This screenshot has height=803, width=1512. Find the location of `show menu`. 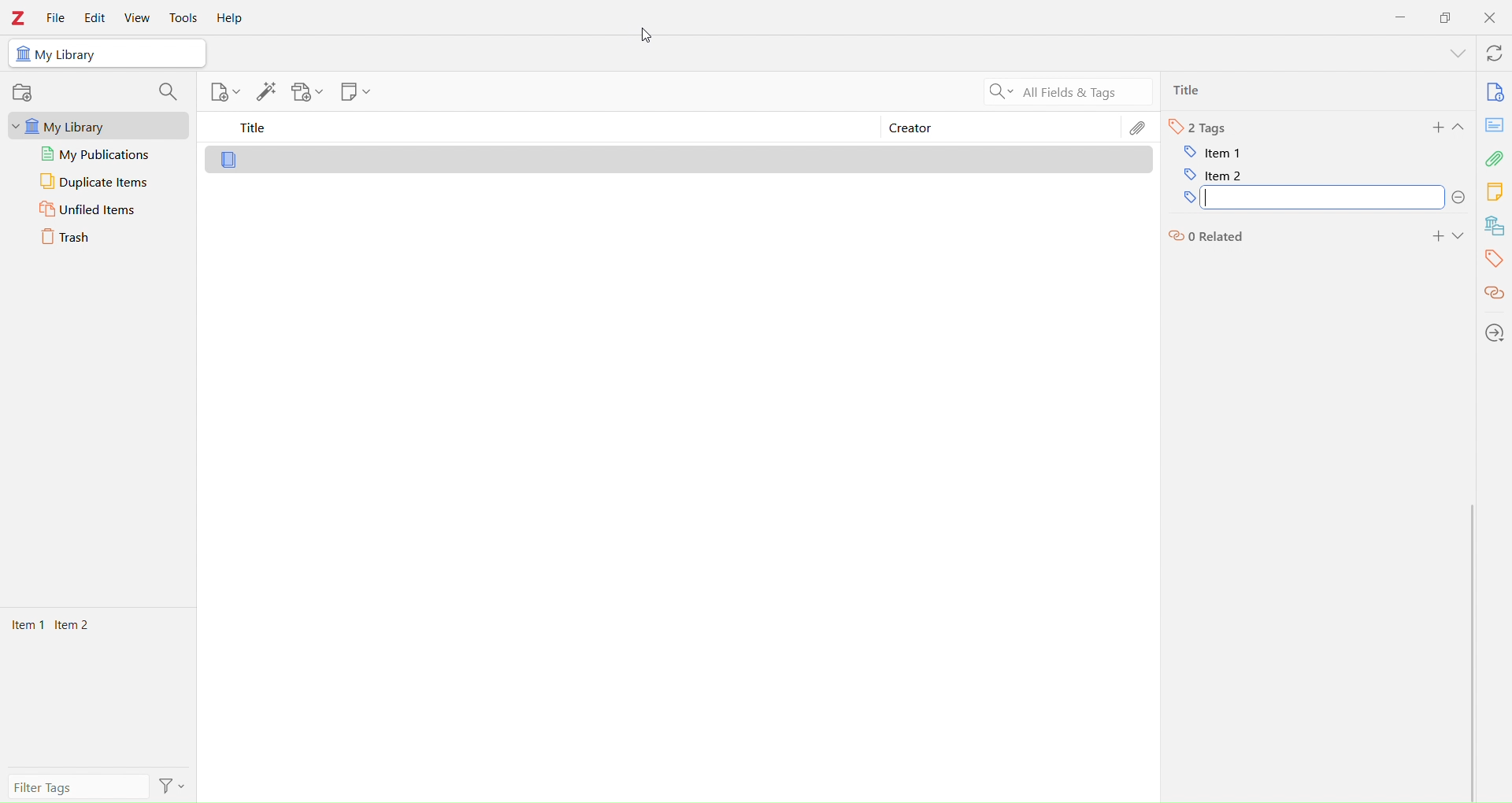

show menu is located at coordinates (1443, 58).